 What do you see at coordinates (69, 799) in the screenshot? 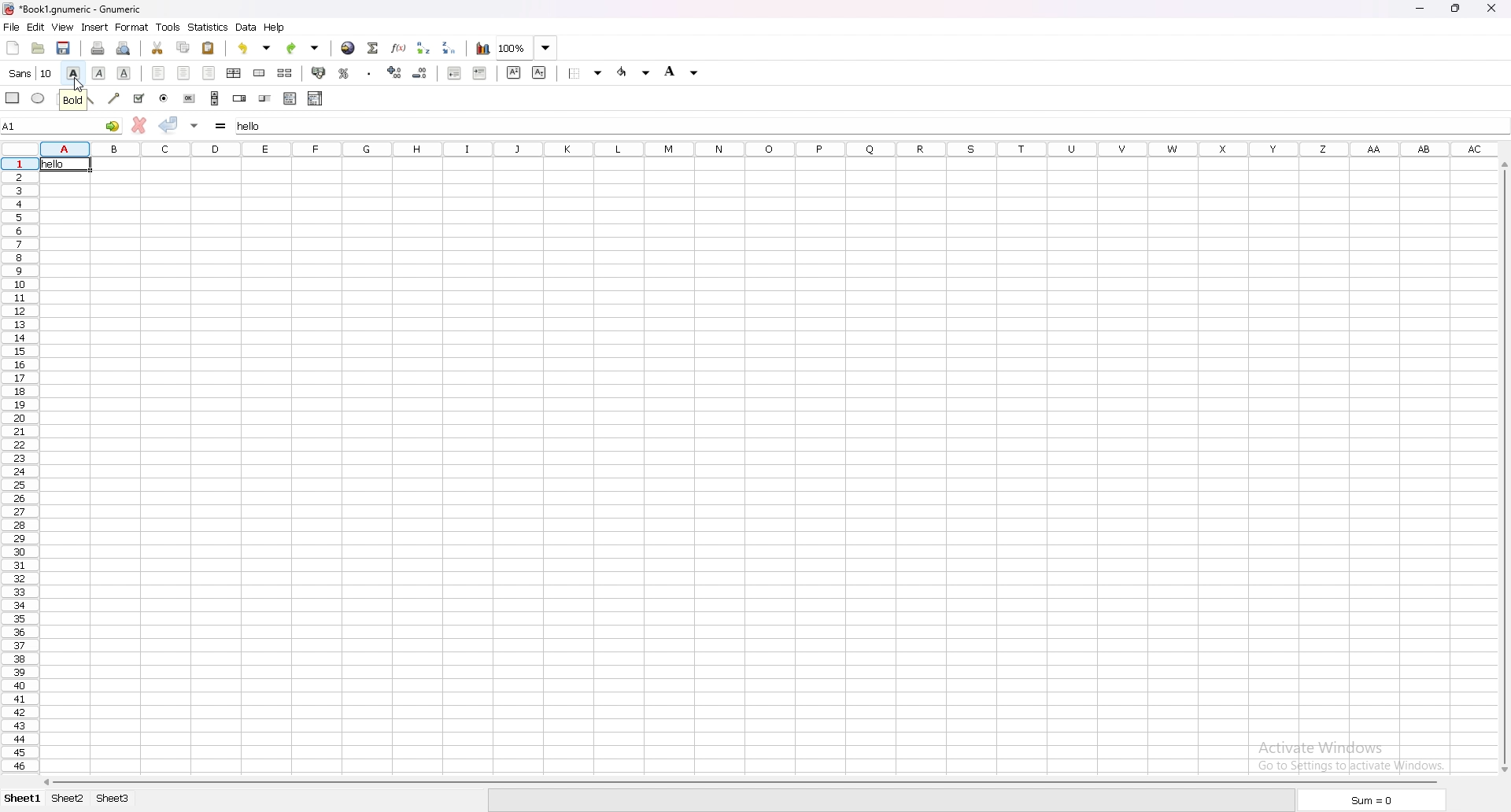
I see `sheet 2` at bounding box center [69, 799].